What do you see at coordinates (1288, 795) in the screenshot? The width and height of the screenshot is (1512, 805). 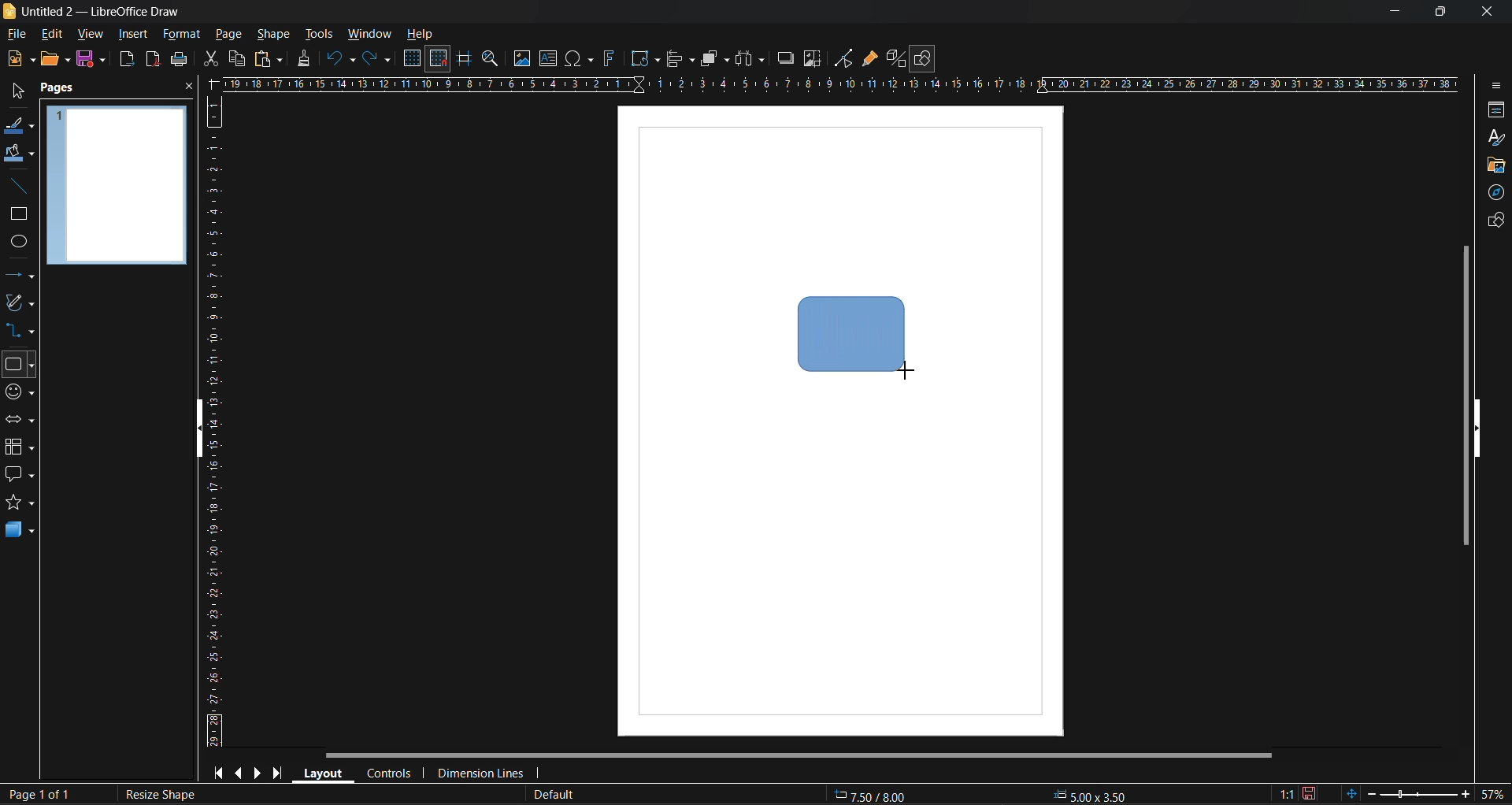 I see `scaling factor` at bounding box center [1288, 795].